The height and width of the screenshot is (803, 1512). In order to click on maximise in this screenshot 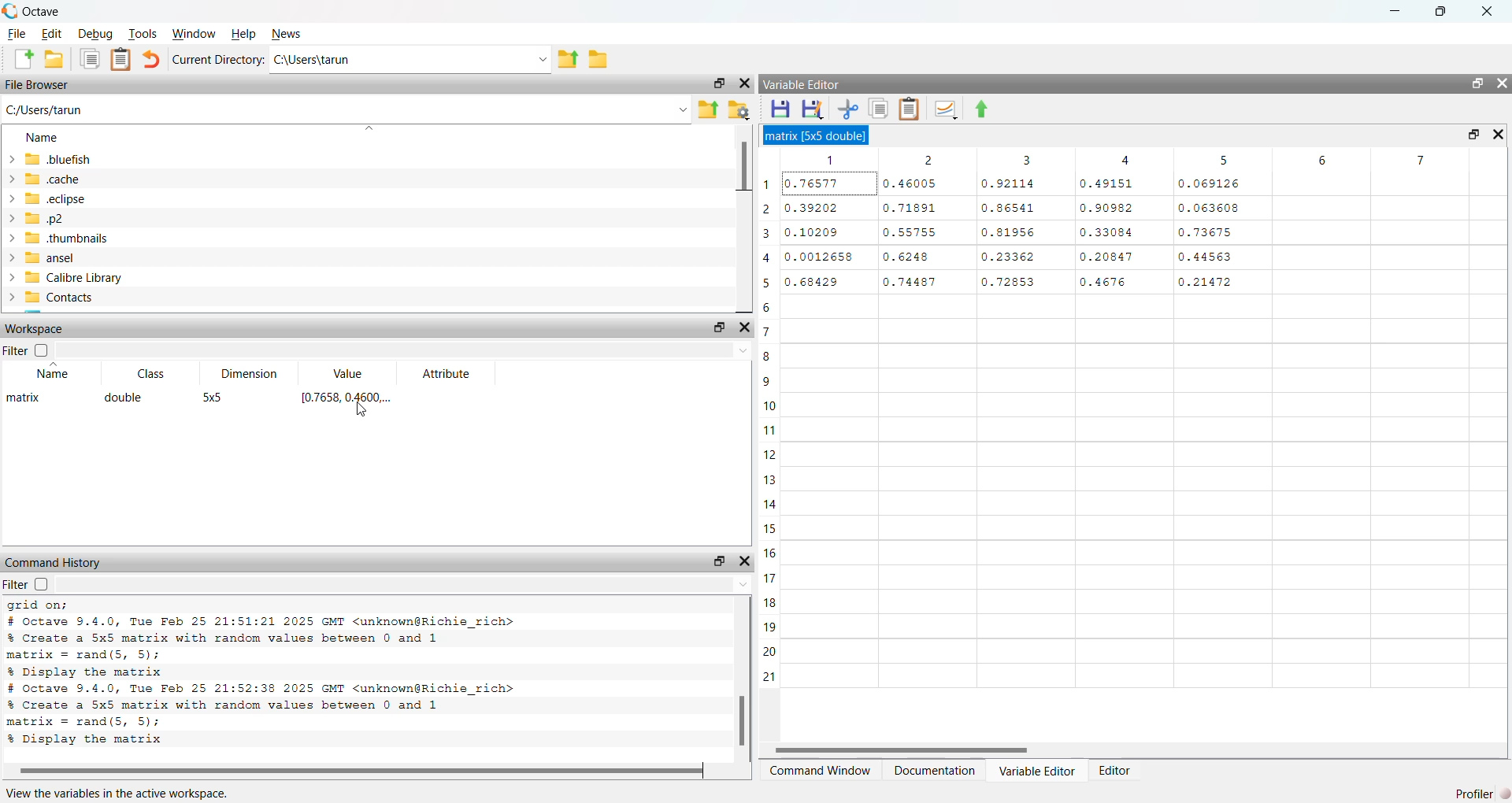, I will do `click(716, 560)`.